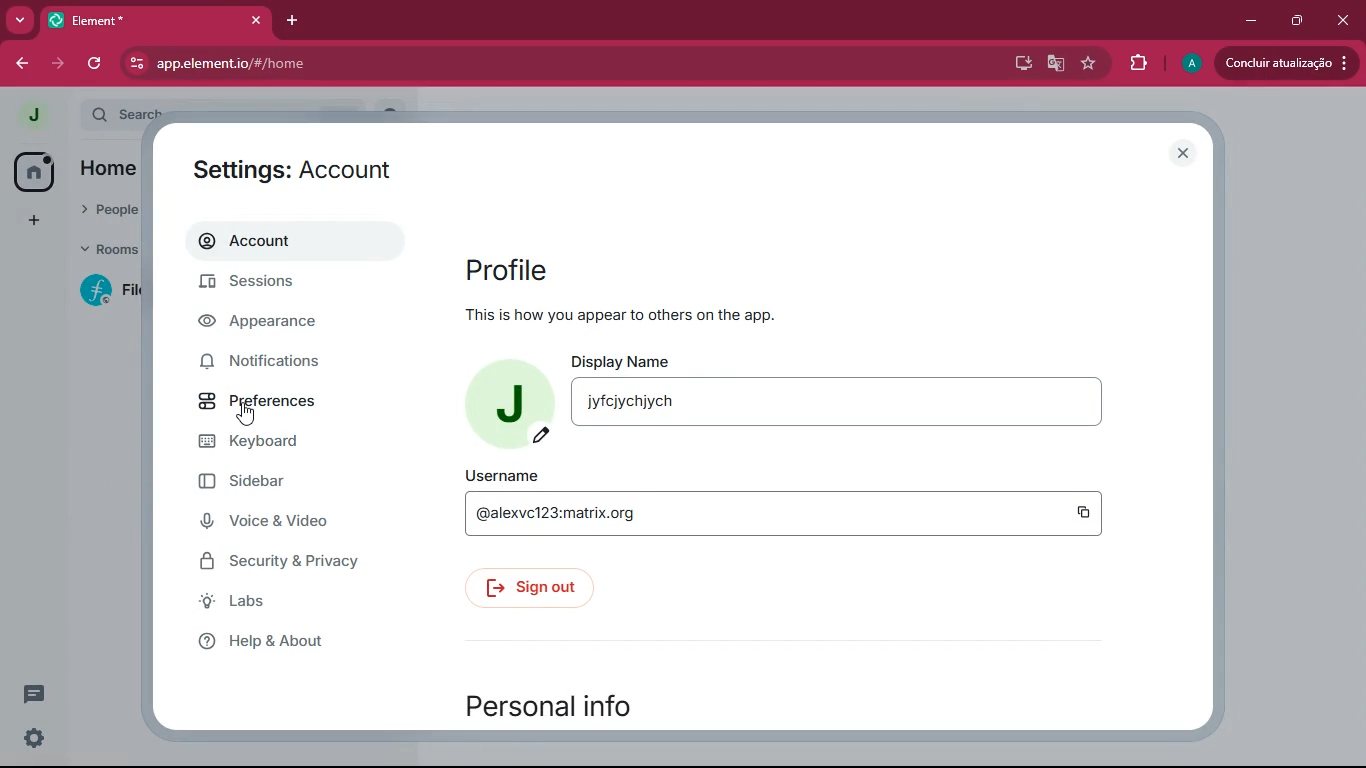 The height and width of the screenshot is (768, 1366). Describe the element at coordinates (1052, 66) in the screenshot. I see `google translate` at that location.